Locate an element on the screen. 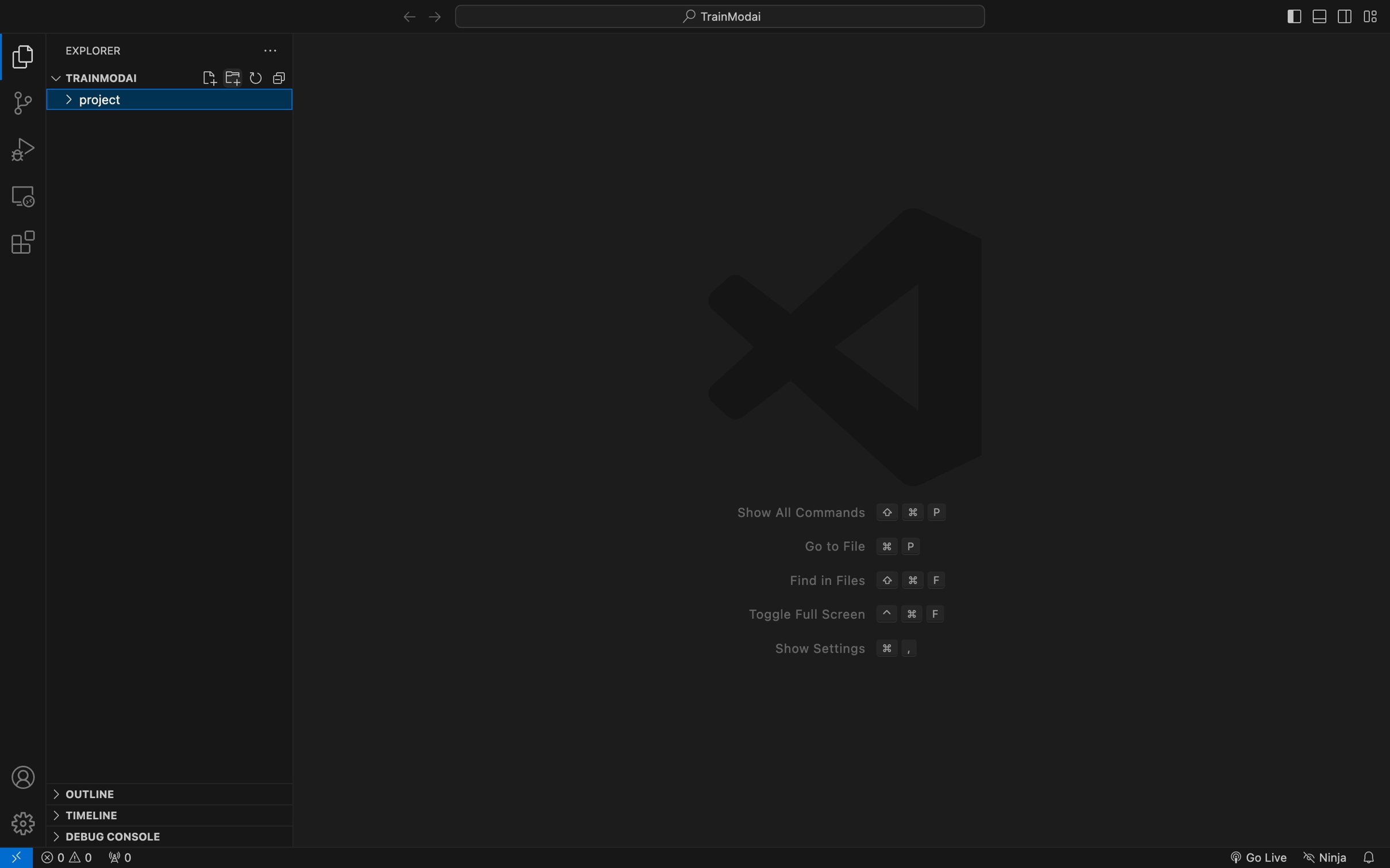 The width and height of the screenshot is (1390, 868). folder is located at coordinates (169, 100).